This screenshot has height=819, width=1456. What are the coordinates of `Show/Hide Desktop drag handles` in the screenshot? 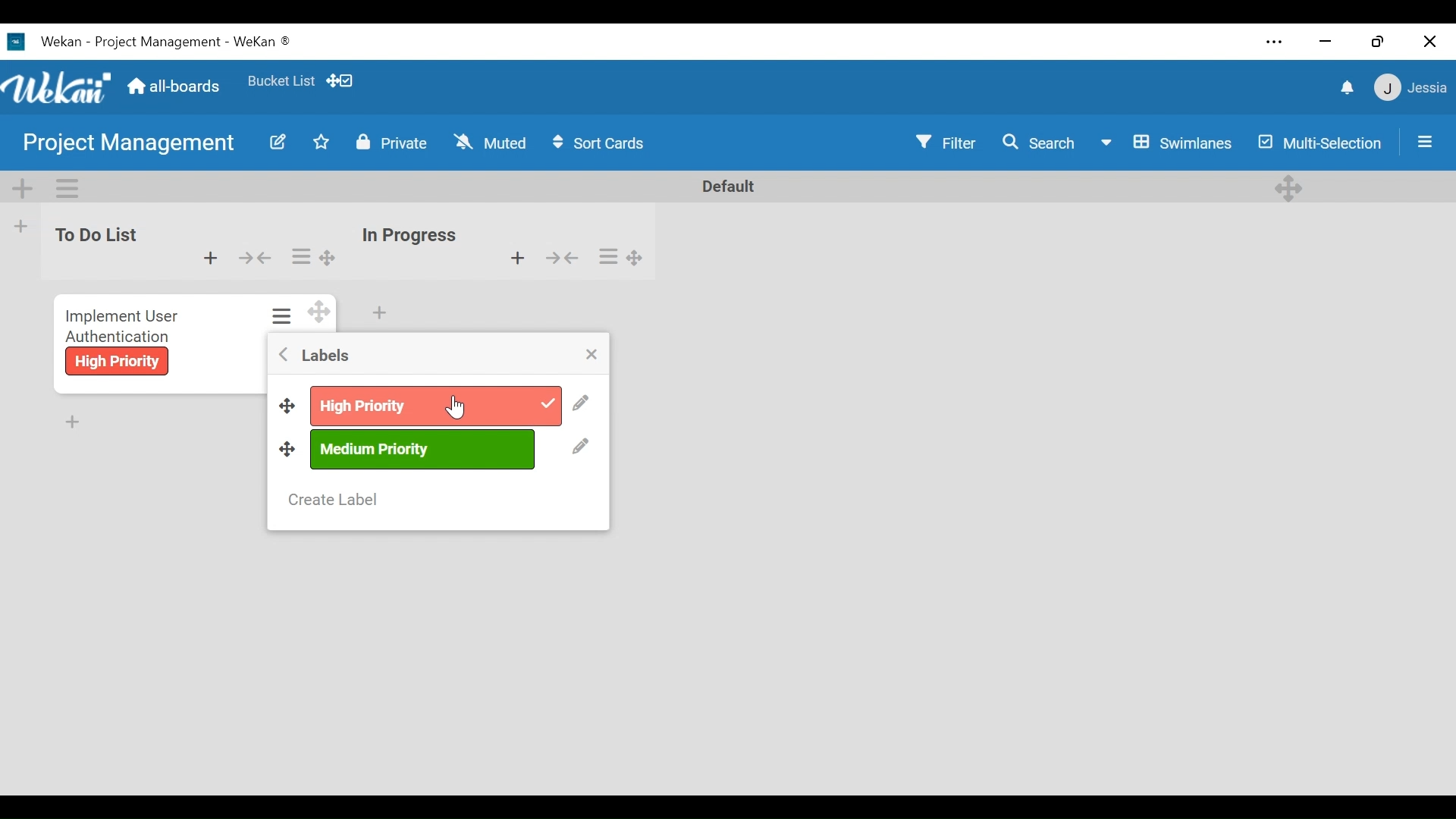 It's located at (339, 81).